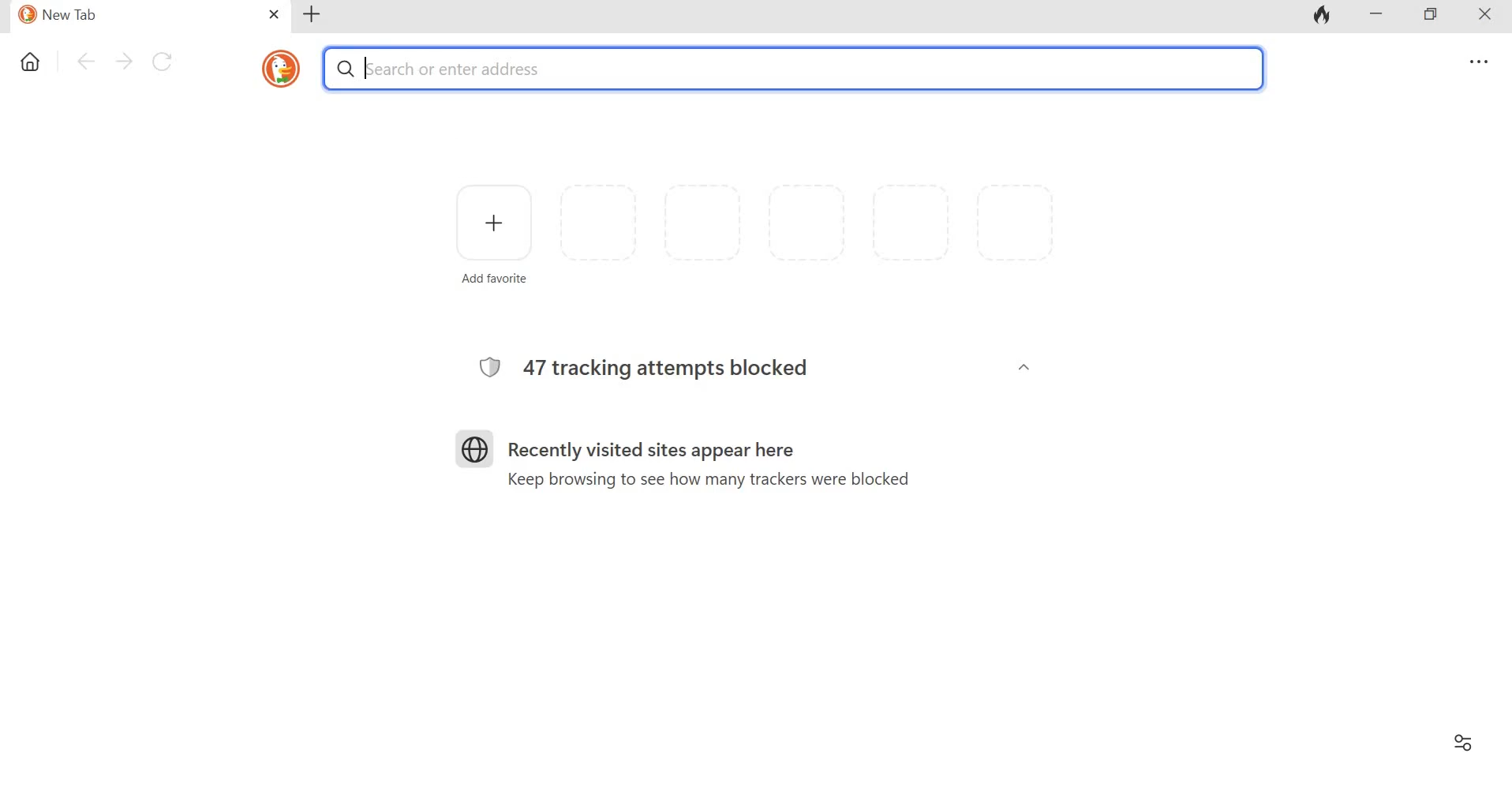 The image size is (1512, 791). What do you see at coordinates (1378, 17) in the screenshot?
I see `Minimize` at bounding box center [1378, 17].